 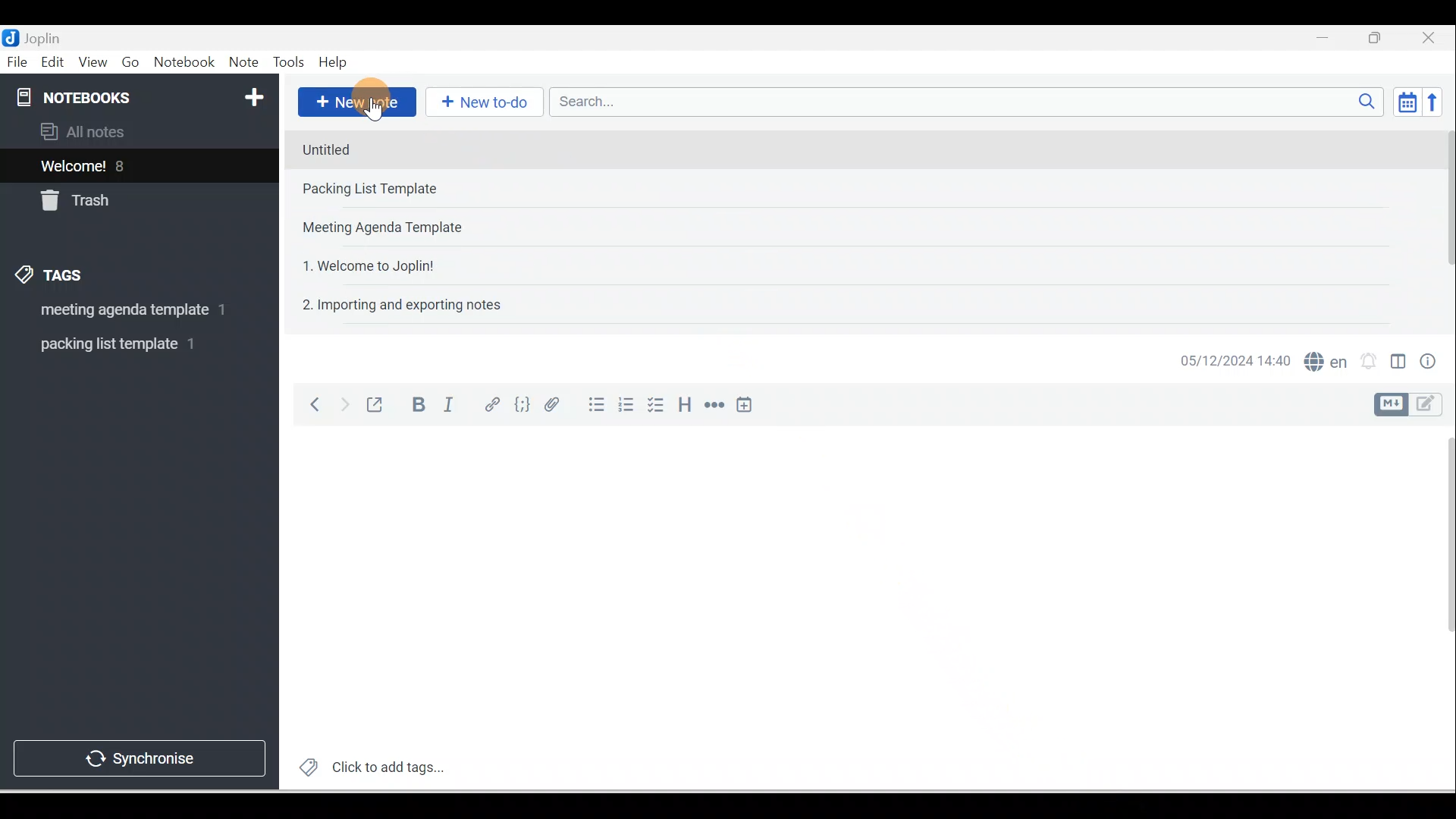 What do you see at coordinates (716, 405) in the screenshot?
I see `Horizontal rule` at bounding box center [716, 405].